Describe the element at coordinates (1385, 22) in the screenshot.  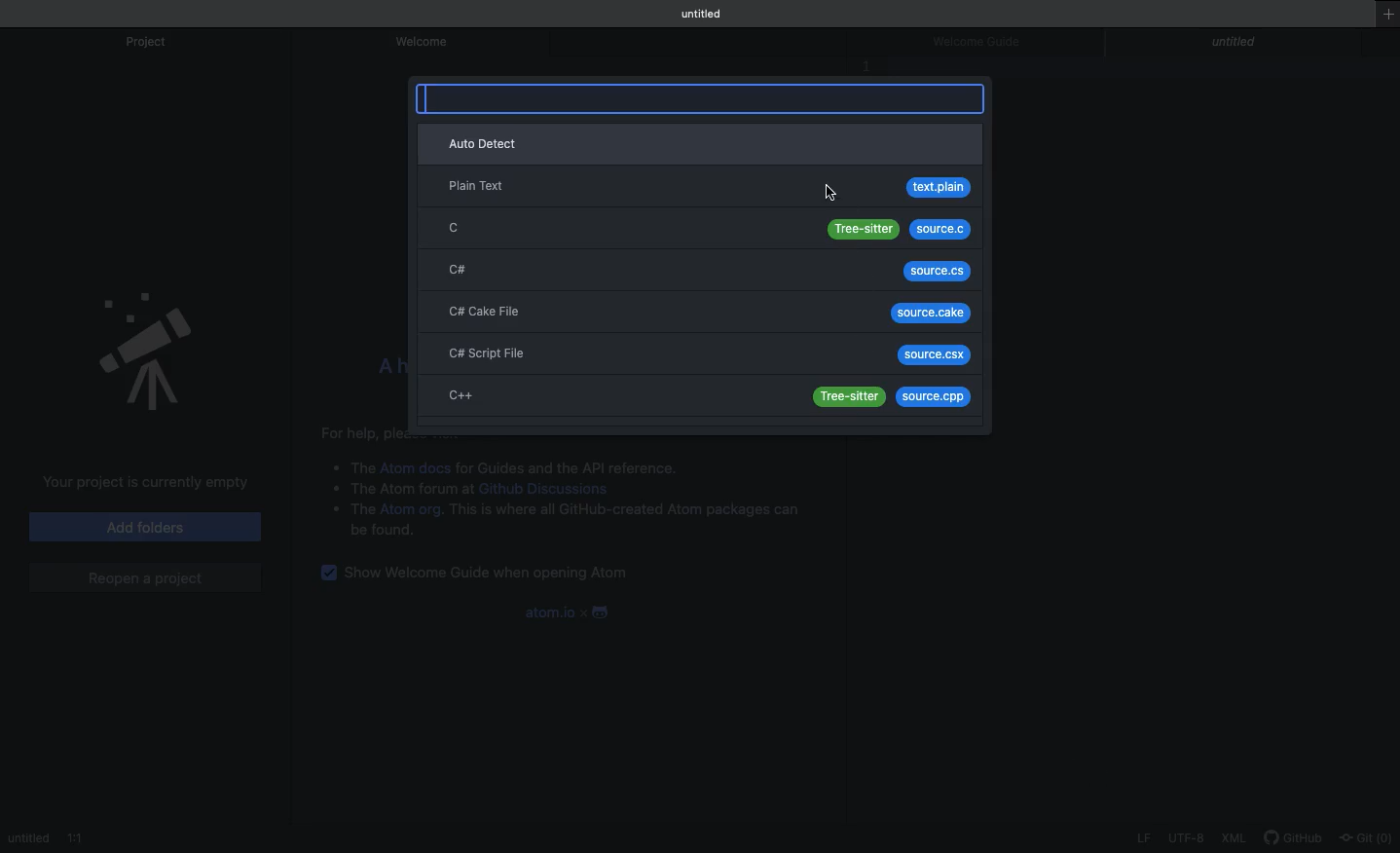
I see `New window` at that location.